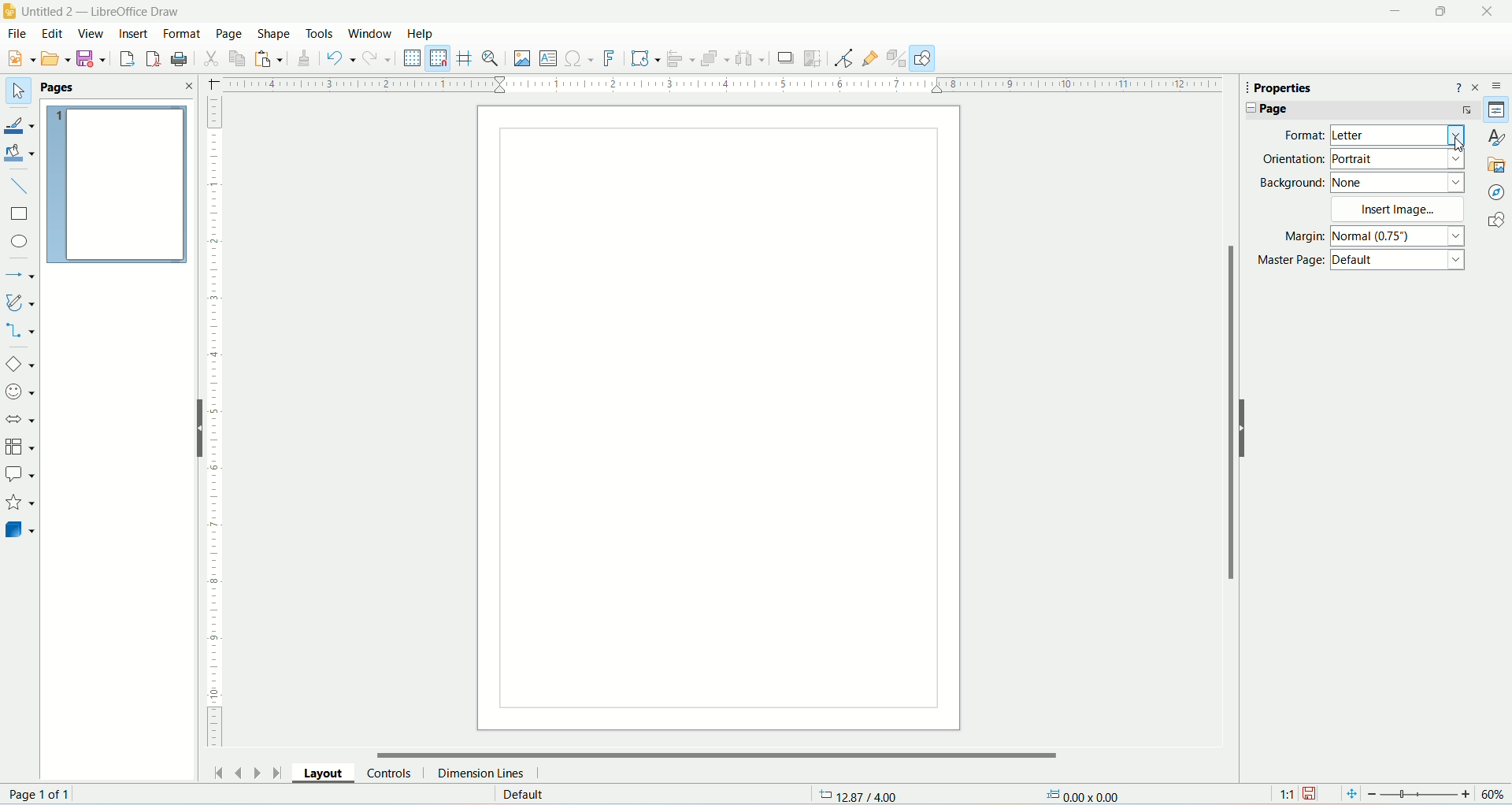 The image size is (1512, 805). What do you see at coordinates (524, 60) in the screenshot?
I see `insert image` at bounding box center [524, 60].